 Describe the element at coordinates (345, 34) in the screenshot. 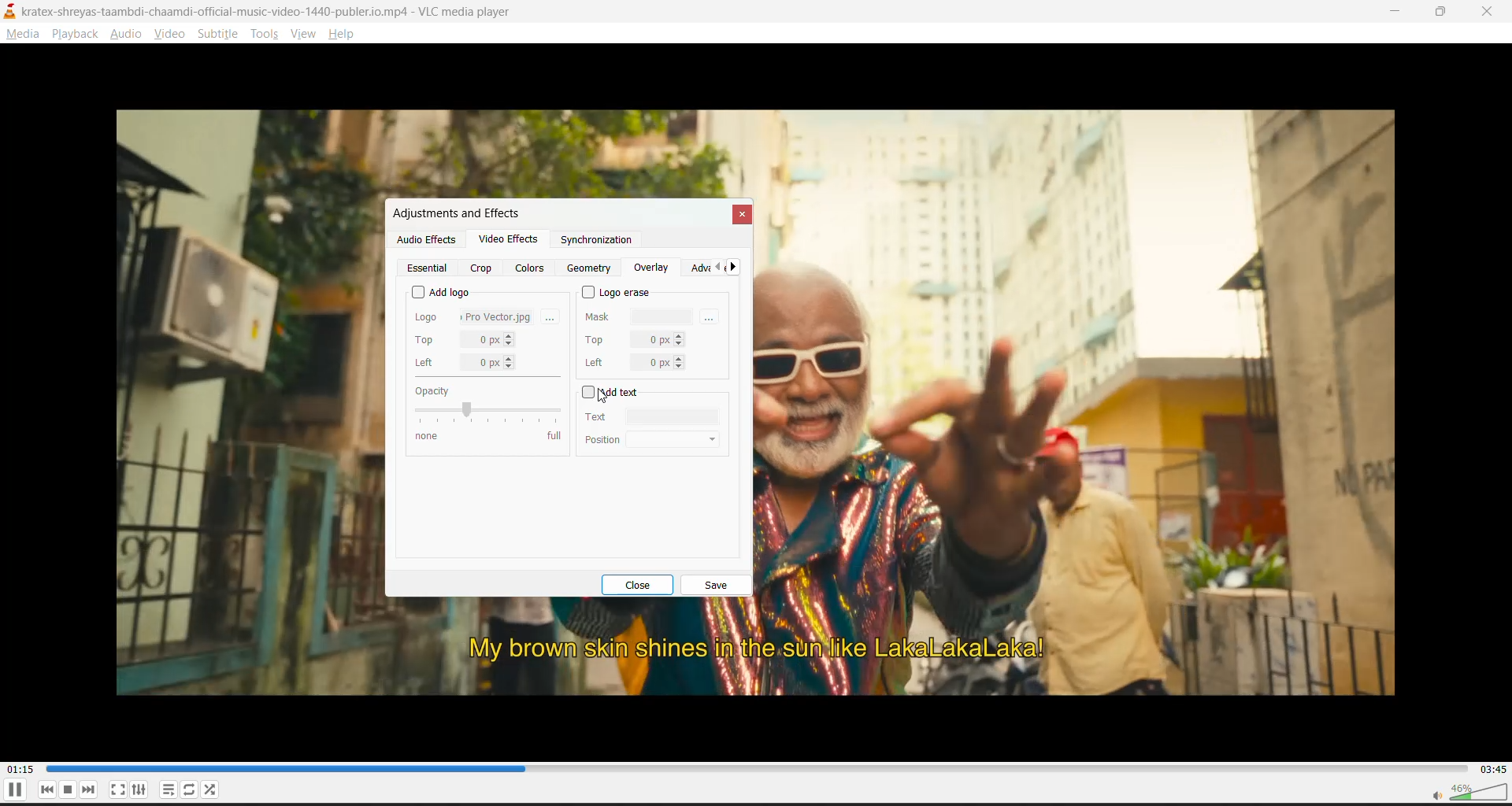

I see `help` at that location.